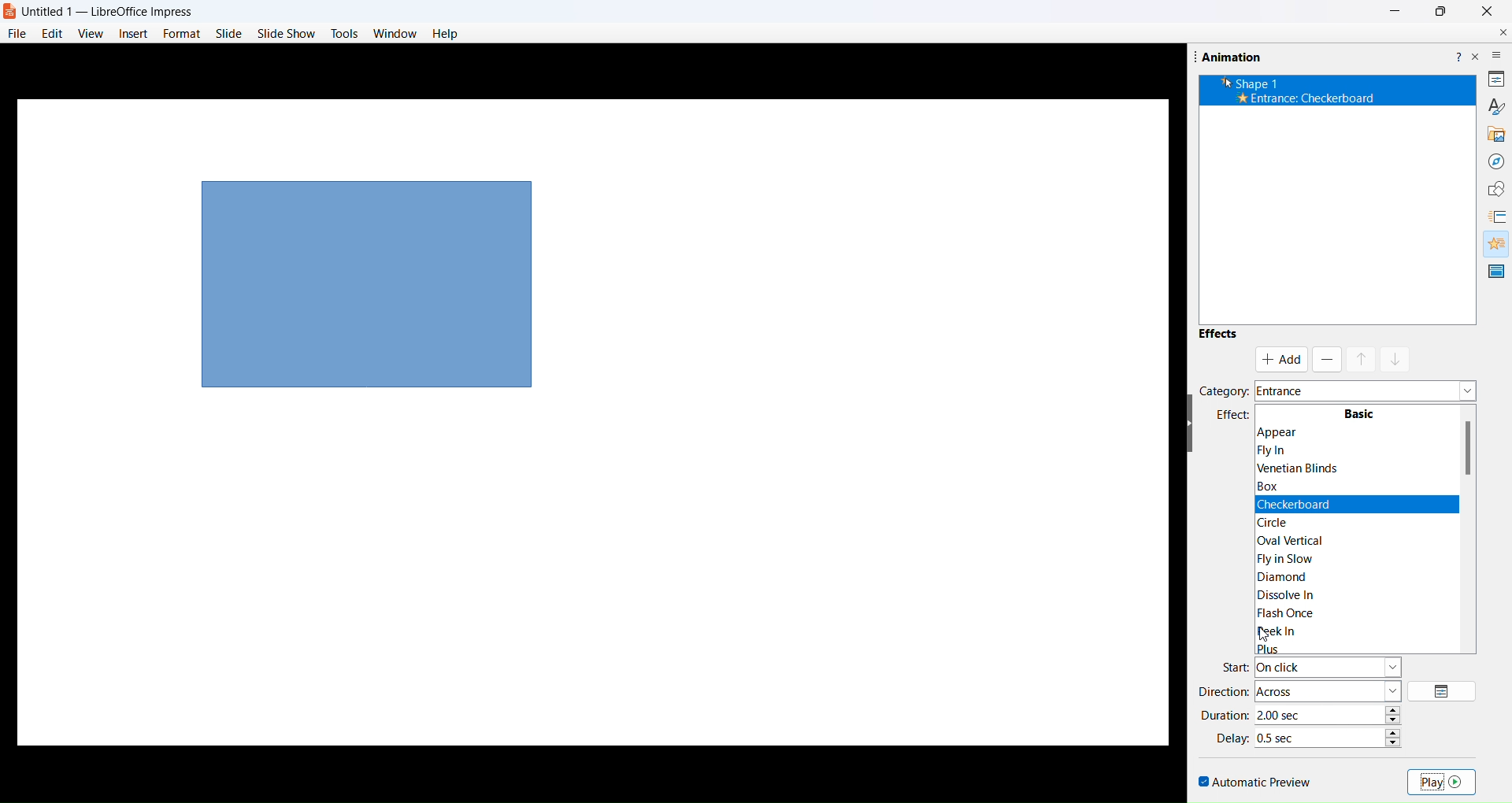 This screenshot has height=803, width=1512. What do you see at coordinates (287, 33) in the screenshot?
I see `slide show` at bounding box center [287, 33].